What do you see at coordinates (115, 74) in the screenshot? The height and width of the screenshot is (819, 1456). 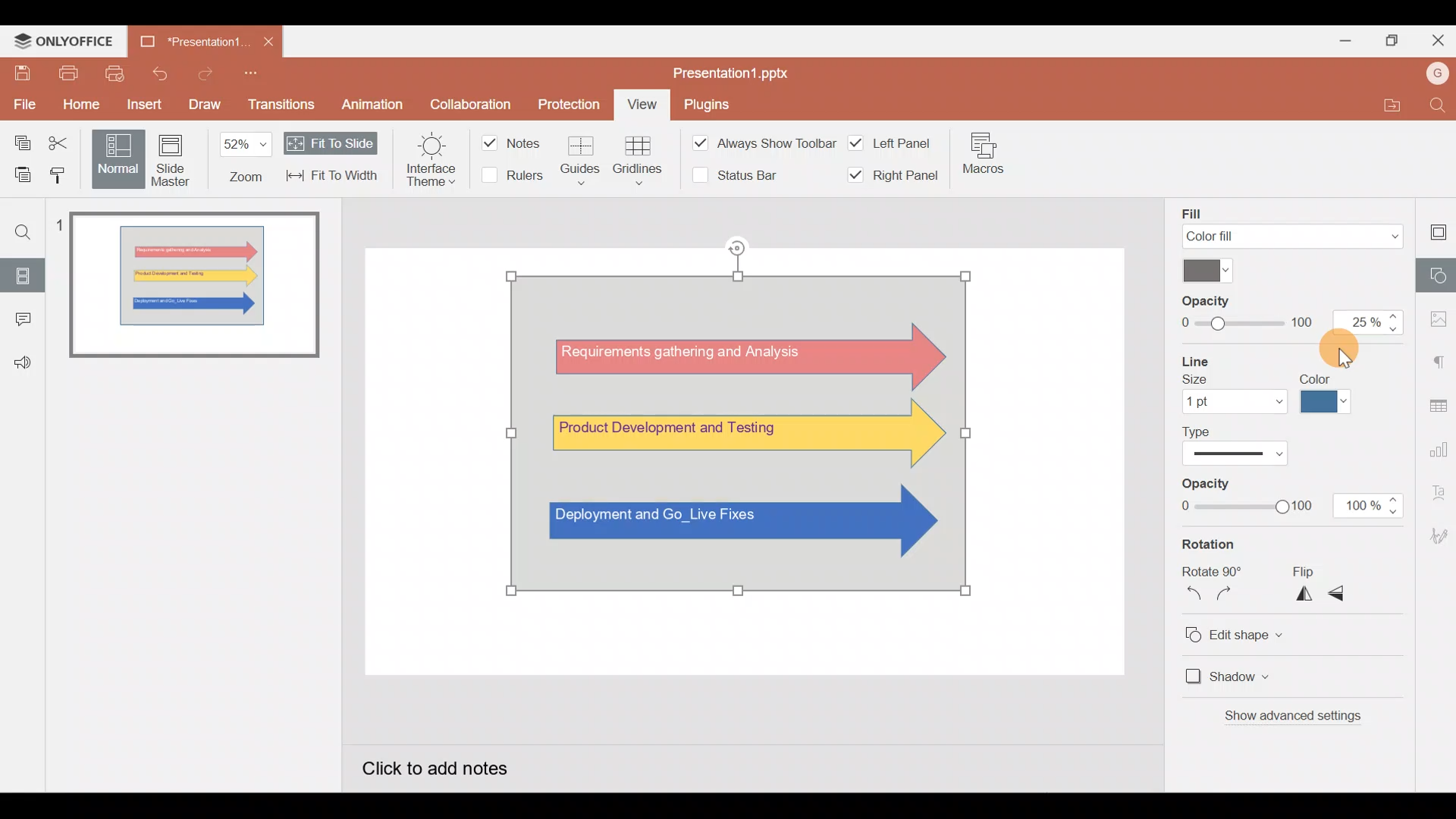 I see `Quick print` at bounding box center [115, 74].